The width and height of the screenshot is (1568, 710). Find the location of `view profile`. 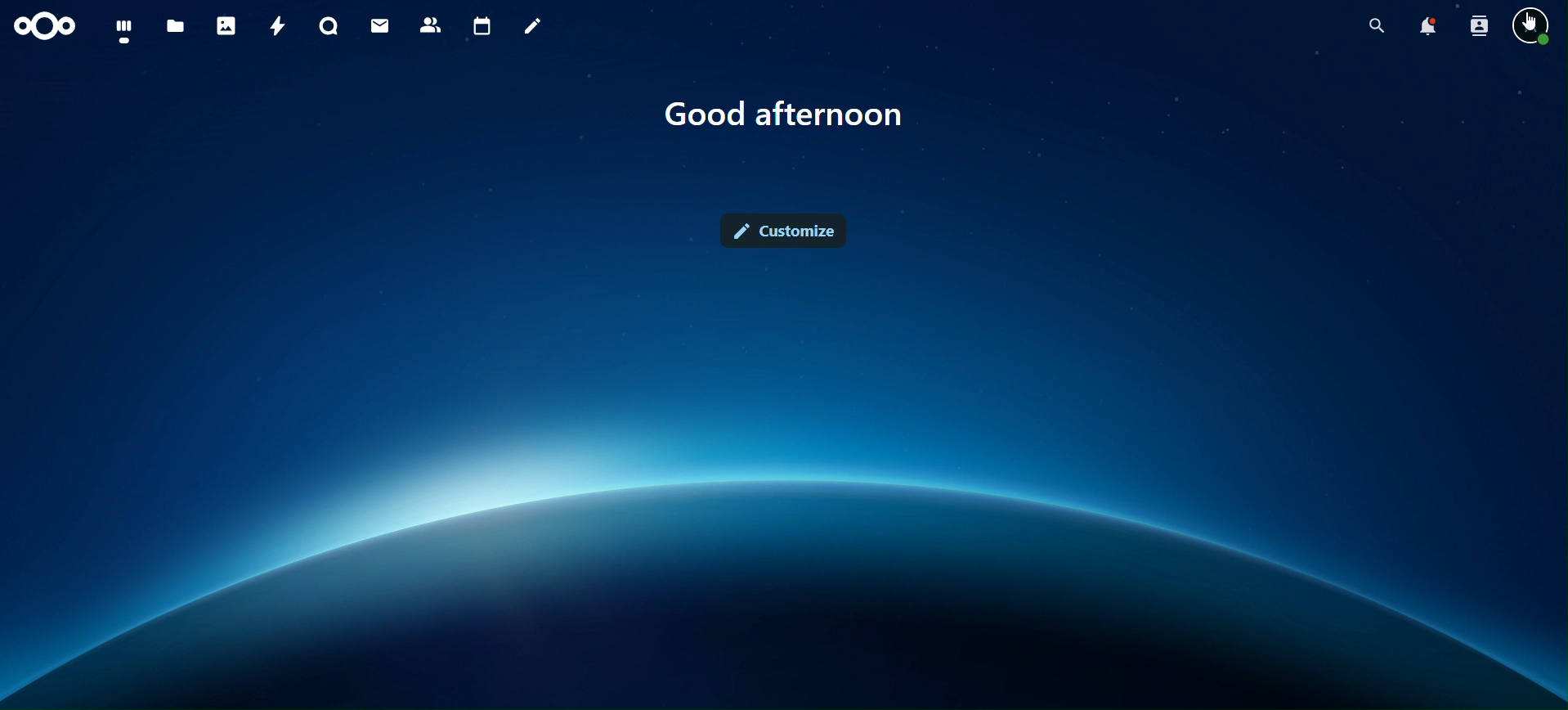

view profile is located at coordinates (1530, 27).